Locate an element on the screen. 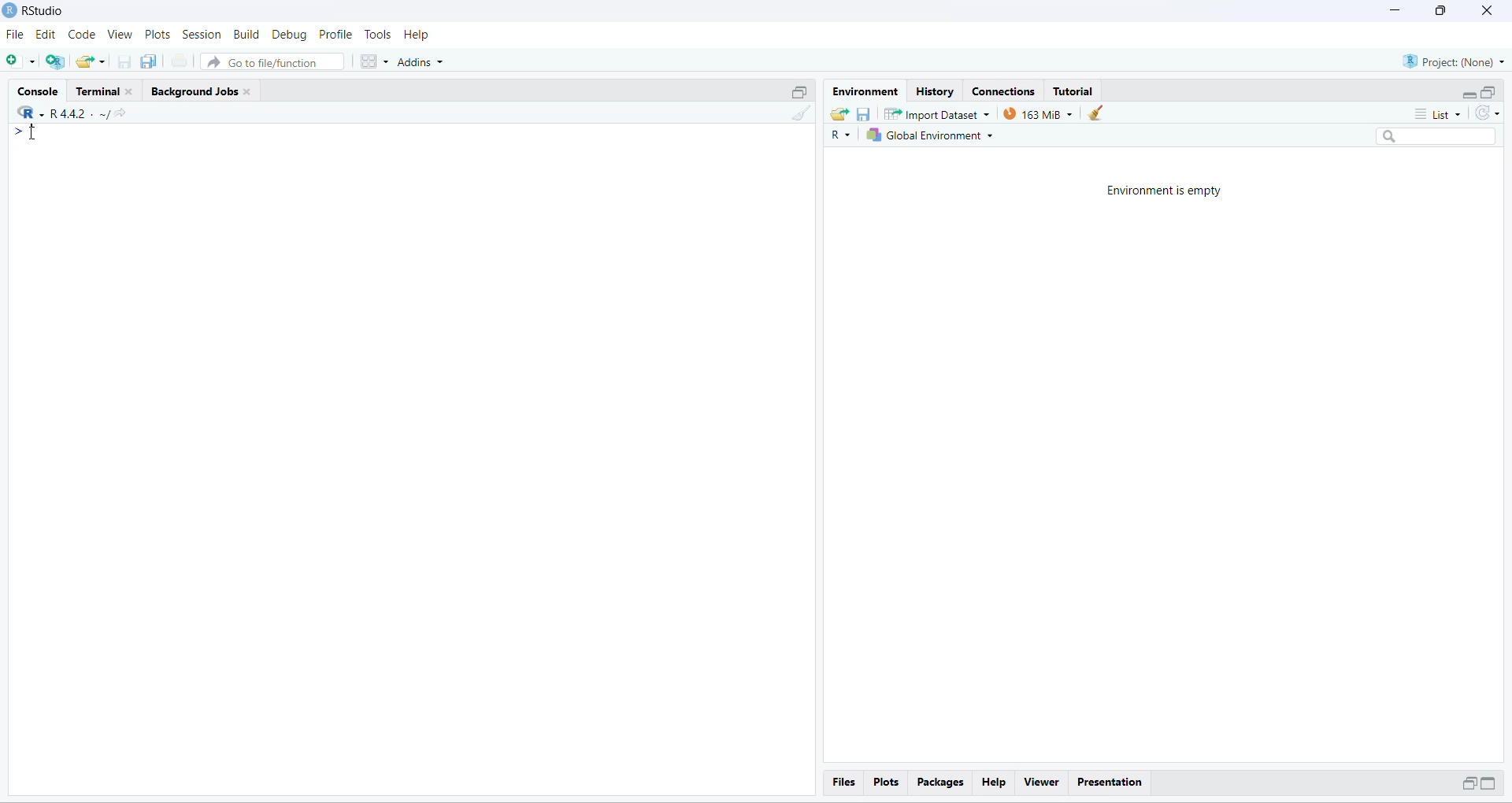 The image size is (1512, 803). maximize is located at coordinates (1489, 783).